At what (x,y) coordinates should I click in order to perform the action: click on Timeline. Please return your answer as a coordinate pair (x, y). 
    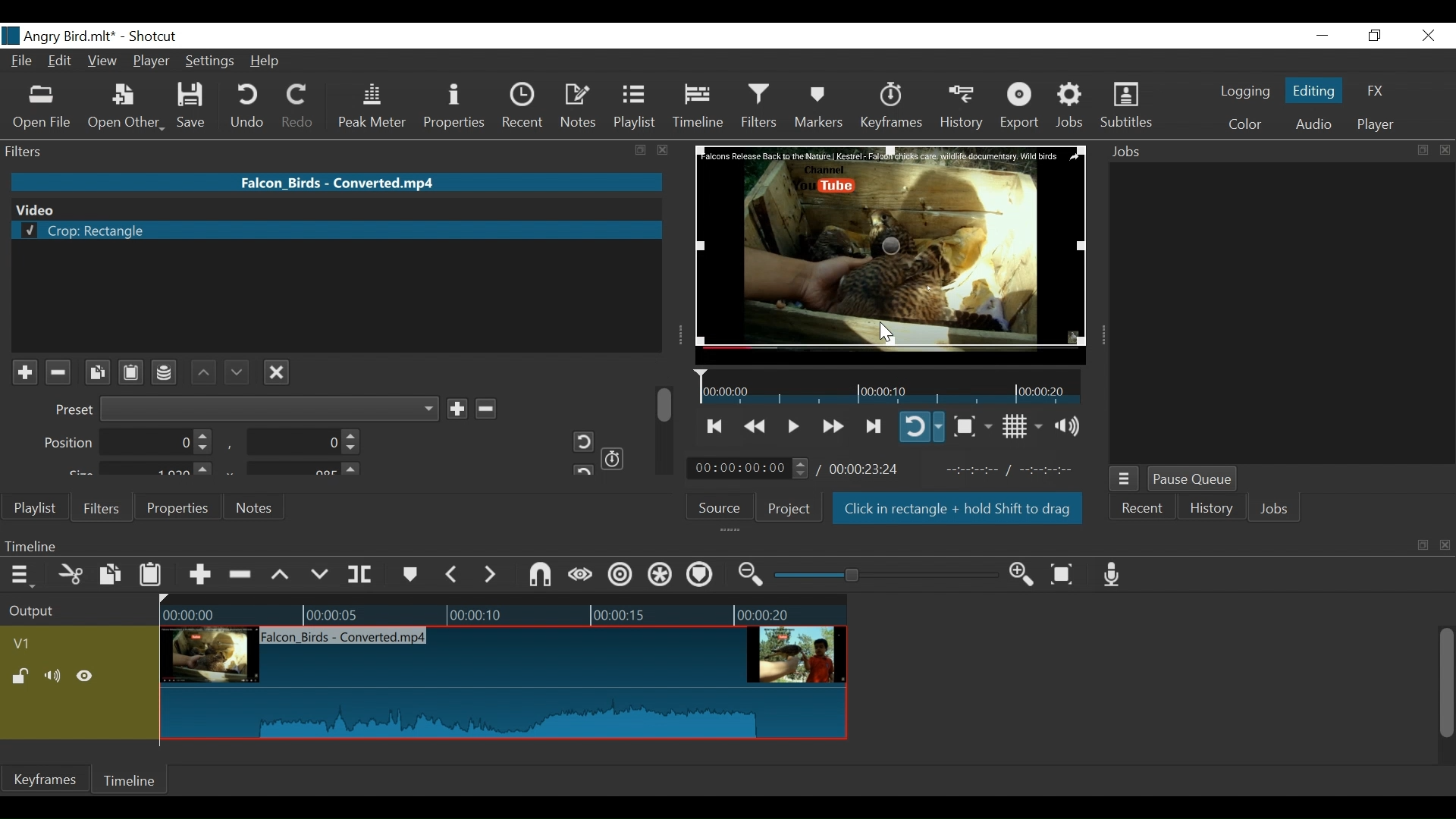
    Looking at the image, I should click on (131, 780).